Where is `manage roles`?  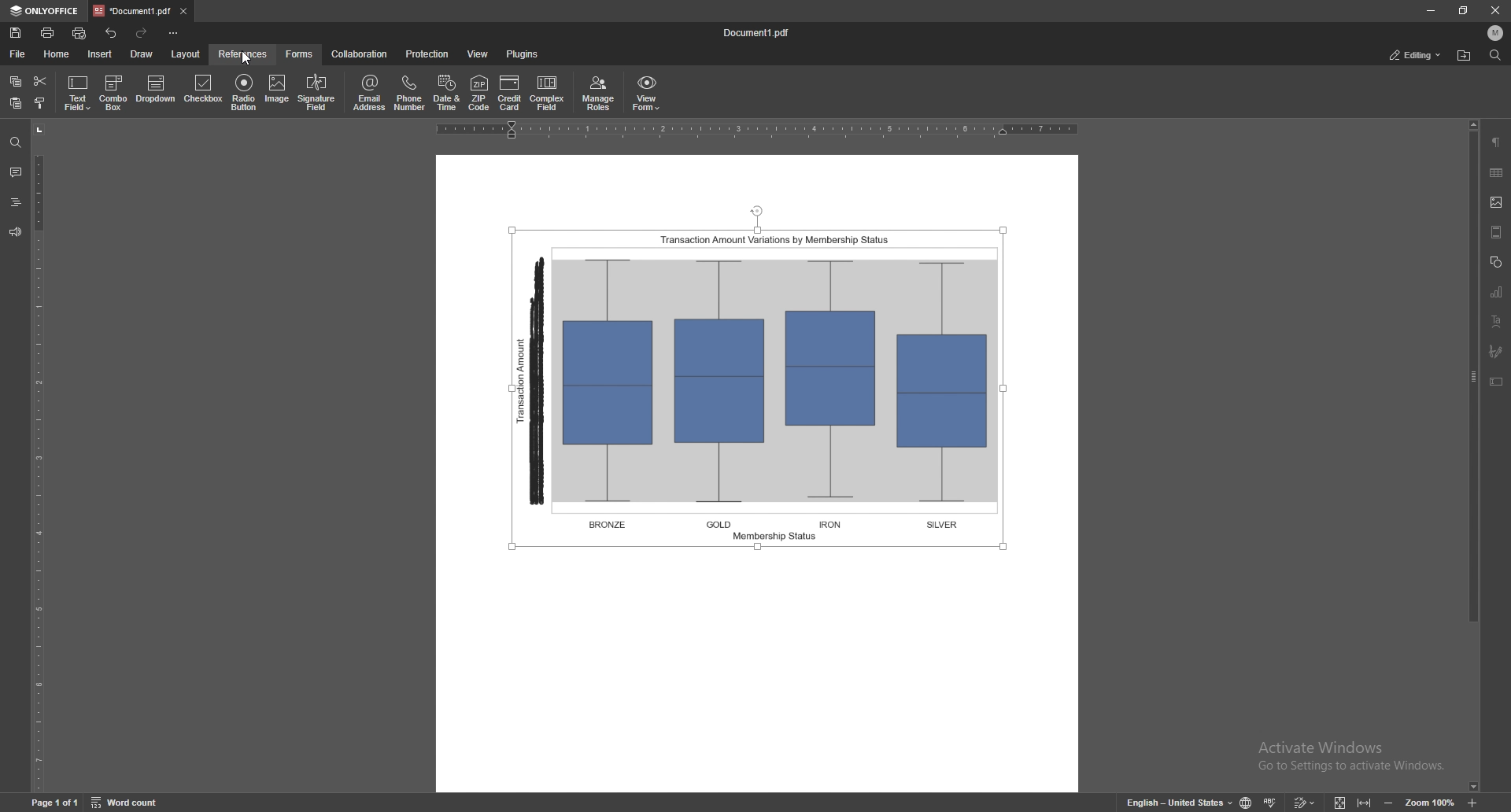 manage roles is located at coordinates (599, 94).